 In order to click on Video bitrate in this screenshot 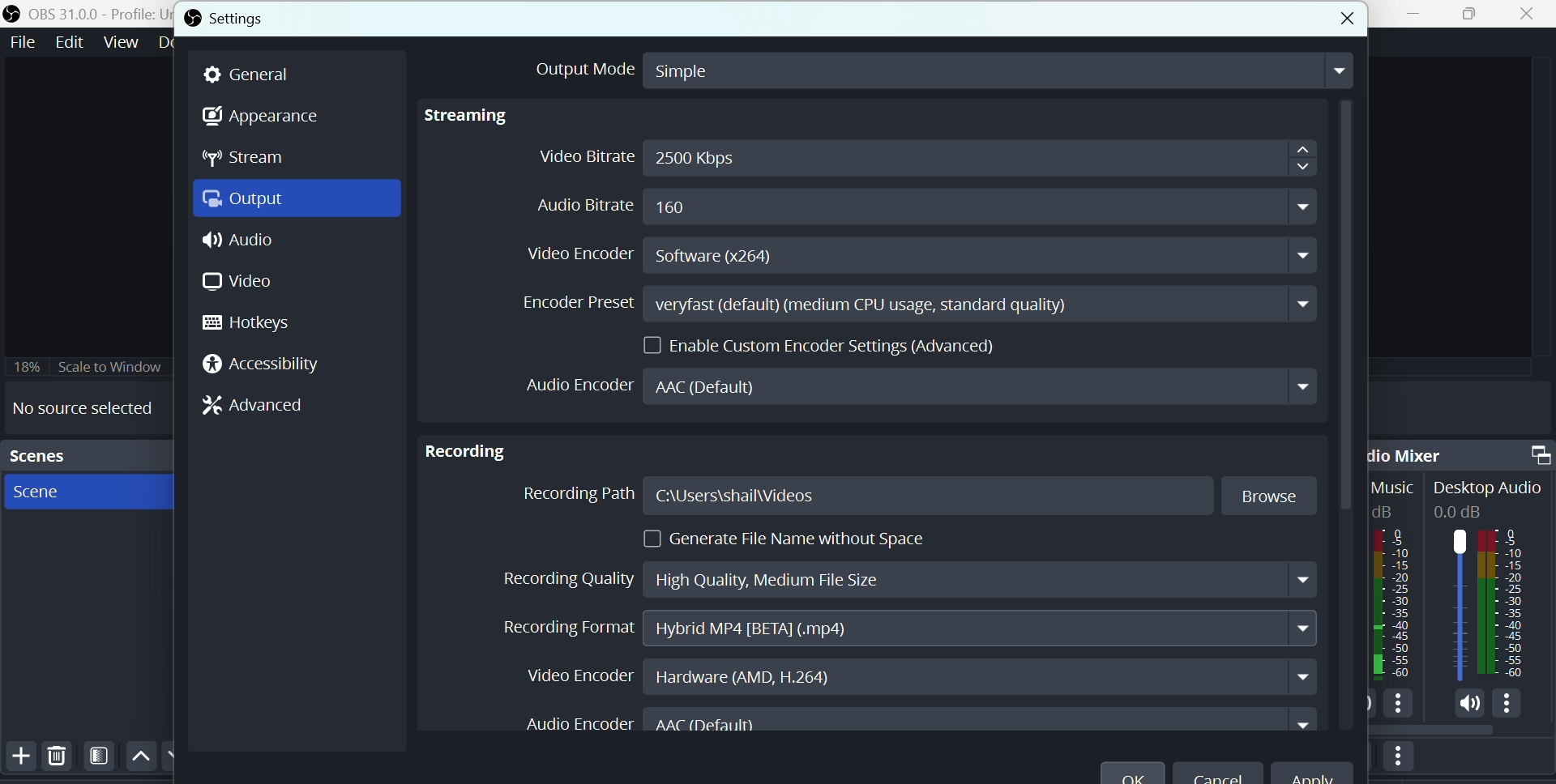, I will do `click(920, 156)`.